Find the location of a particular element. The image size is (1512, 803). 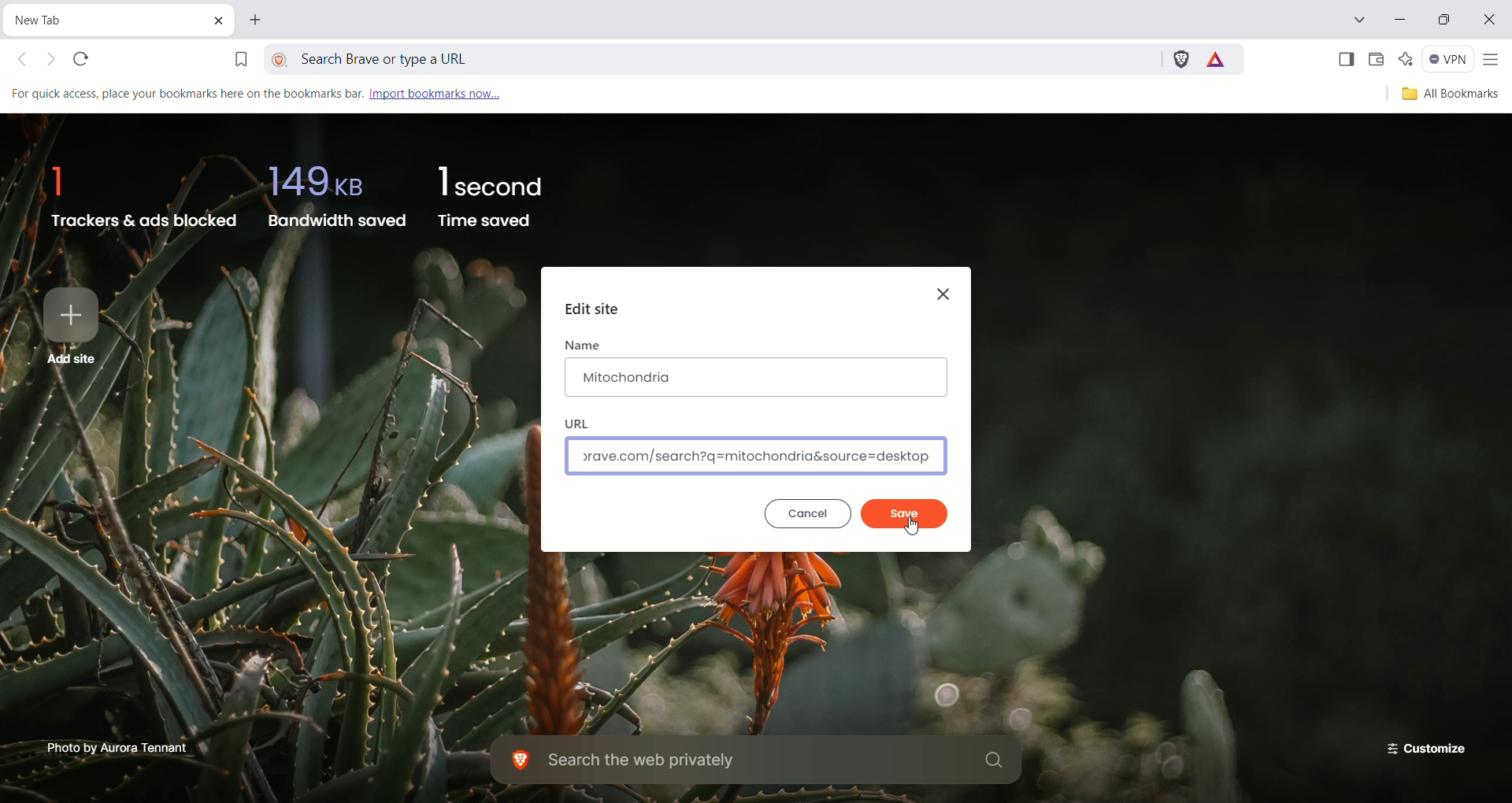

name is located at coordinates (584, 346).